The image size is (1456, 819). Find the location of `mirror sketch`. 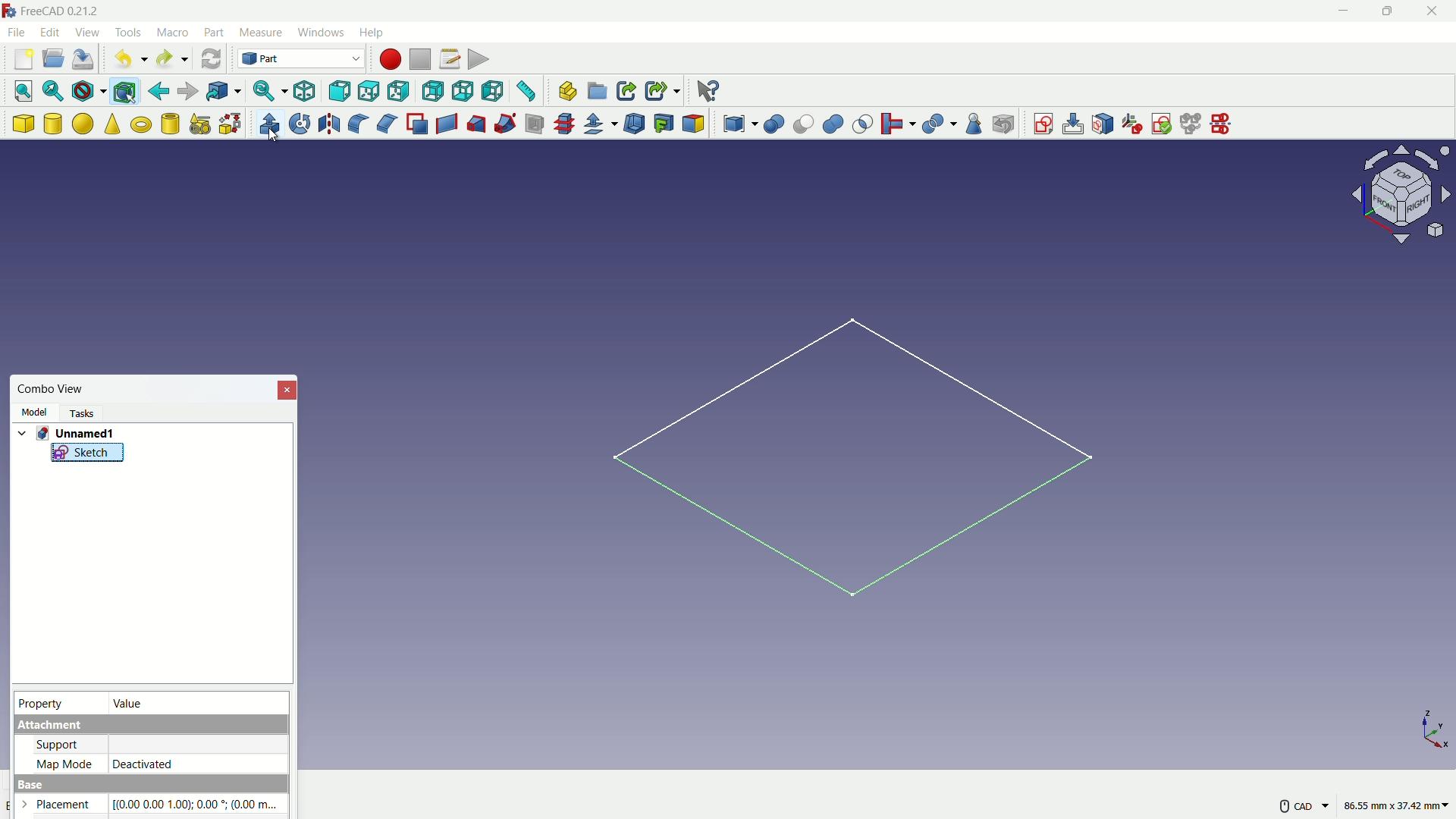

mirror sketch is located at coordinates (1226, 123).